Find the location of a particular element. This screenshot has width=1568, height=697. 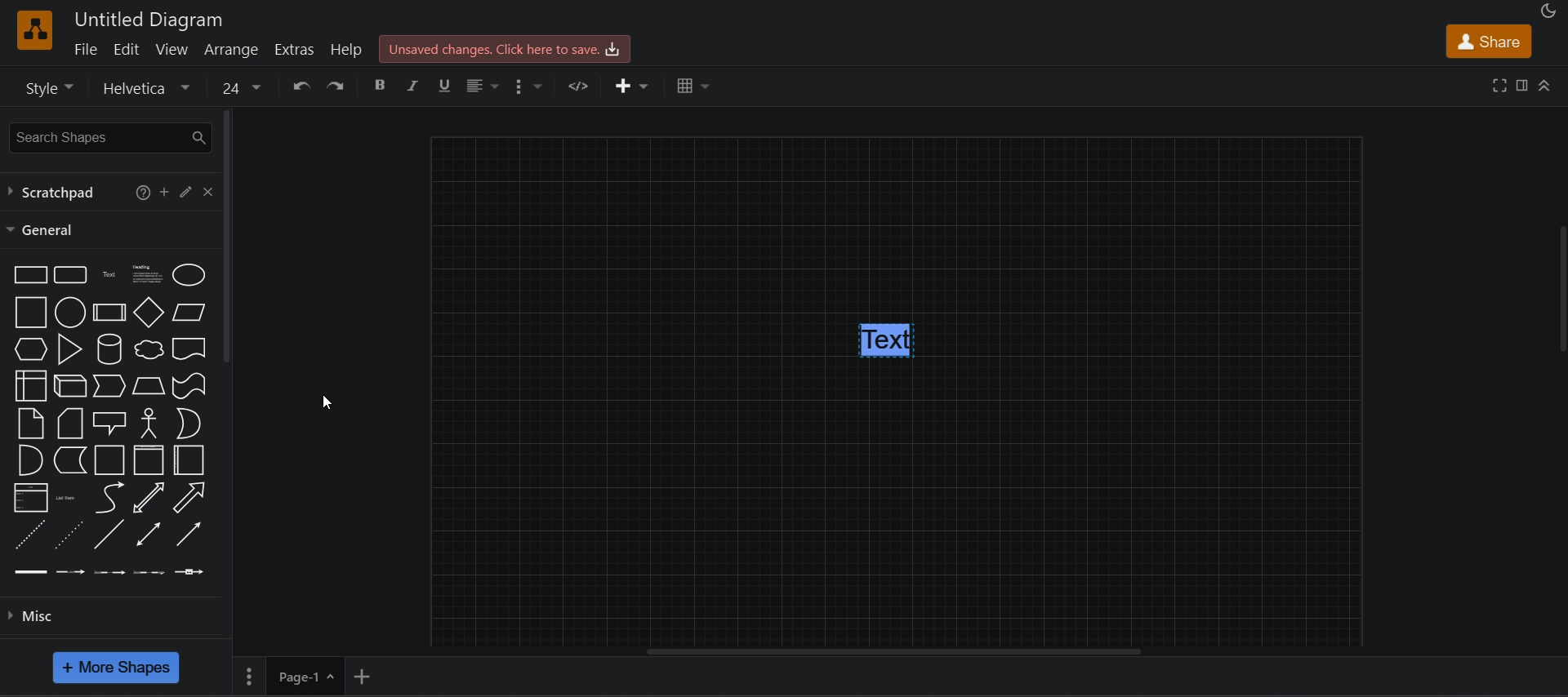

collapase/expand is located at coordinates (1544, 85).